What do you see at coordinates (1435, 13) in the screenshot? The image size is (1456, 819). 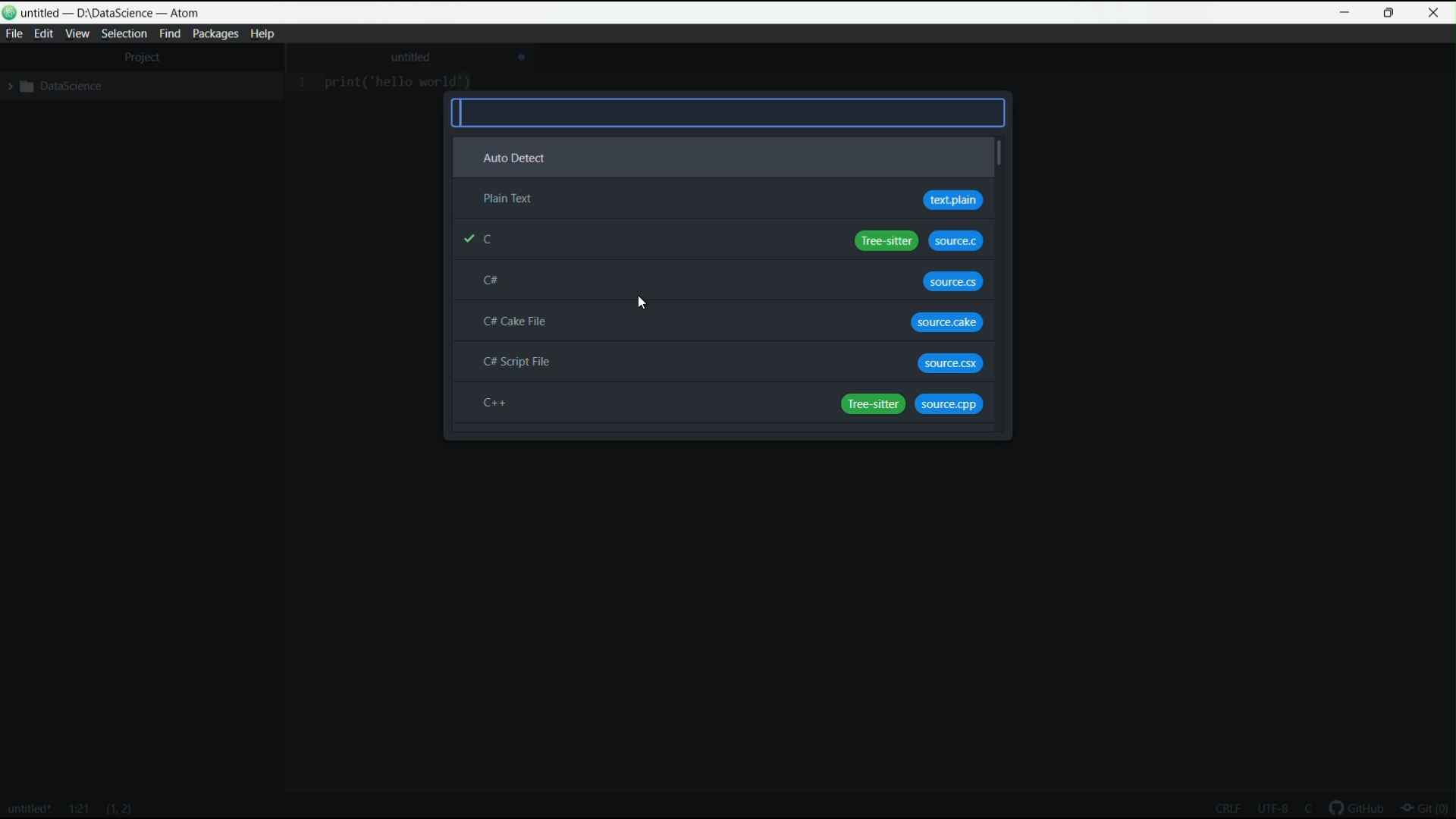 I see `close app` at bounding box center [1435, 13].